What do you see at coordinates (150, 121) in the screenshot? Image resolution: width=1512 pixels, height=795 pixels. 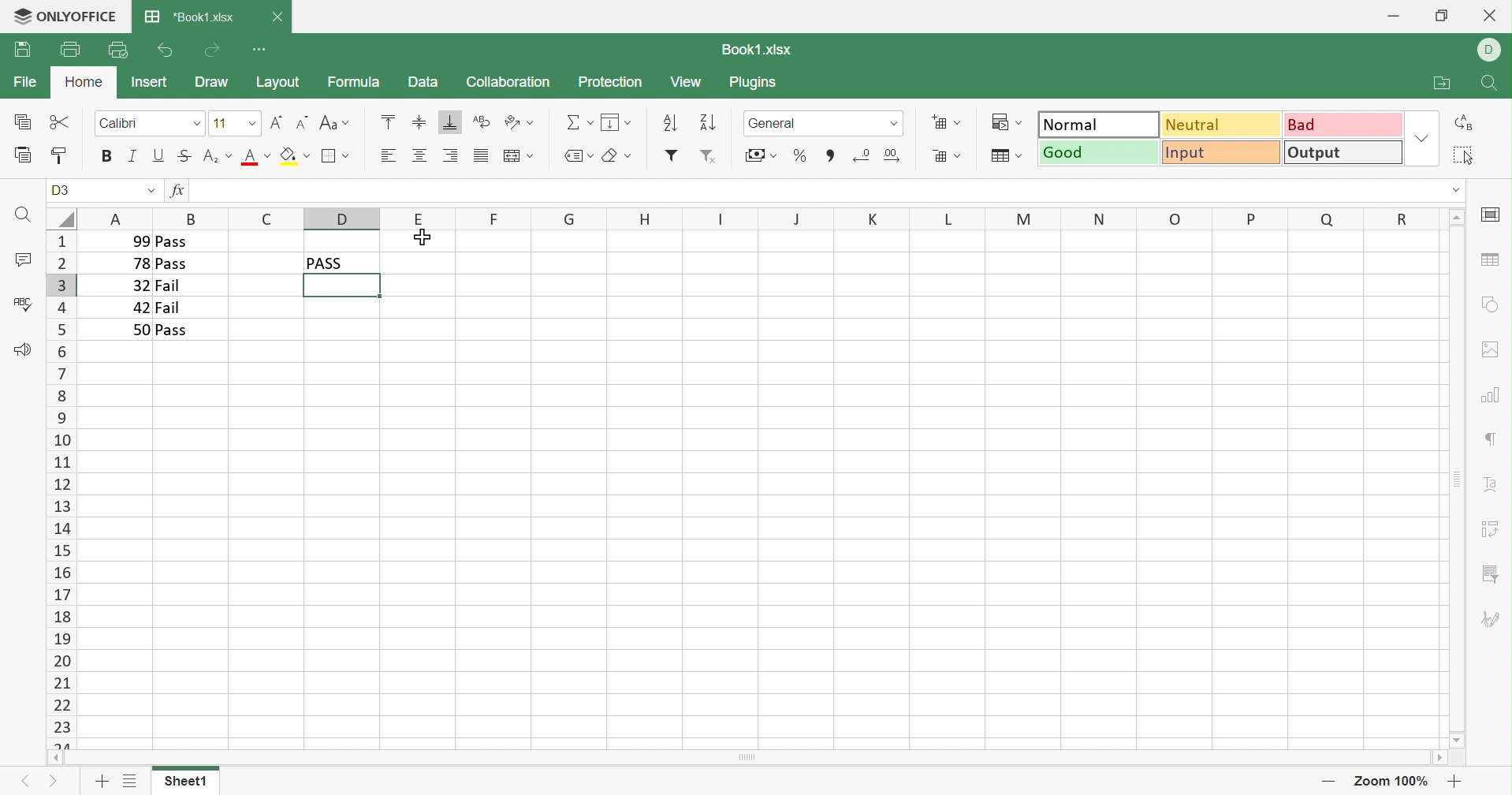 I see `Font` at bounding box center [150, 121].